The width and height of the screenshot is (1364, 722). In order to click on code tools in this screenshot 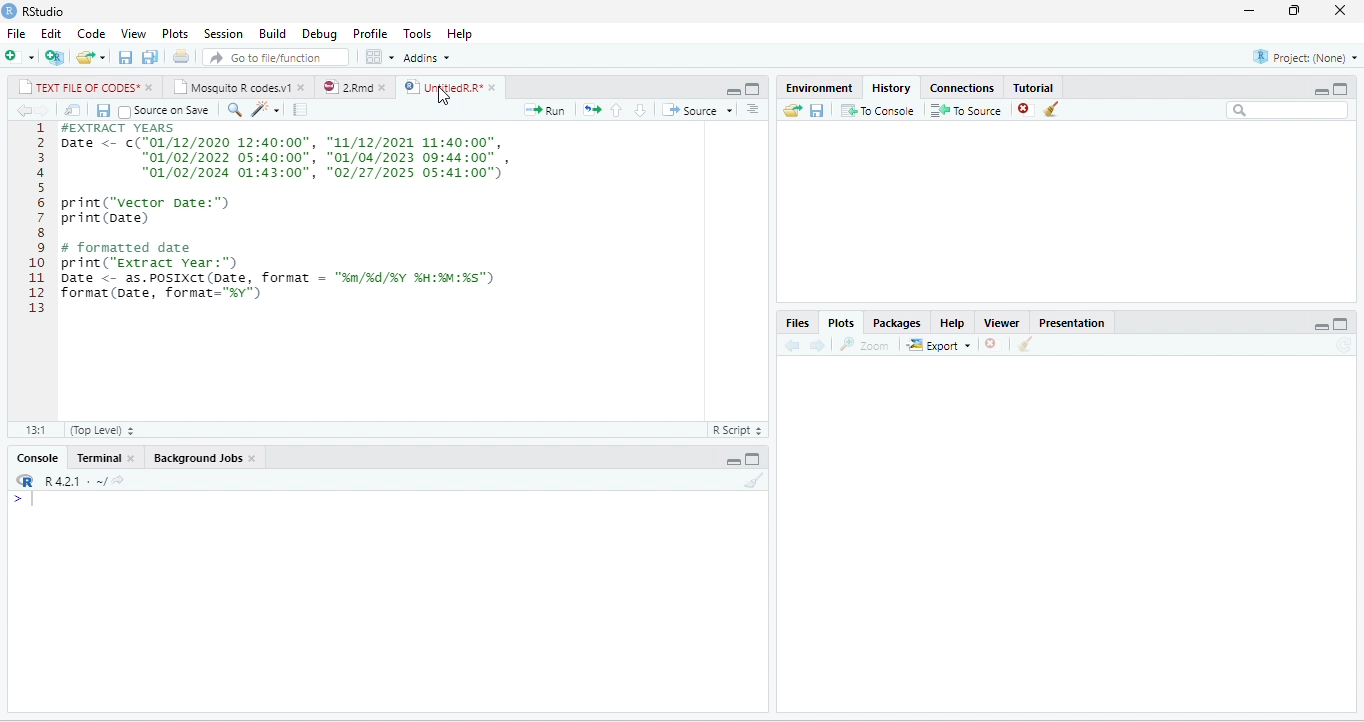, I will do `click(265, 109)`.